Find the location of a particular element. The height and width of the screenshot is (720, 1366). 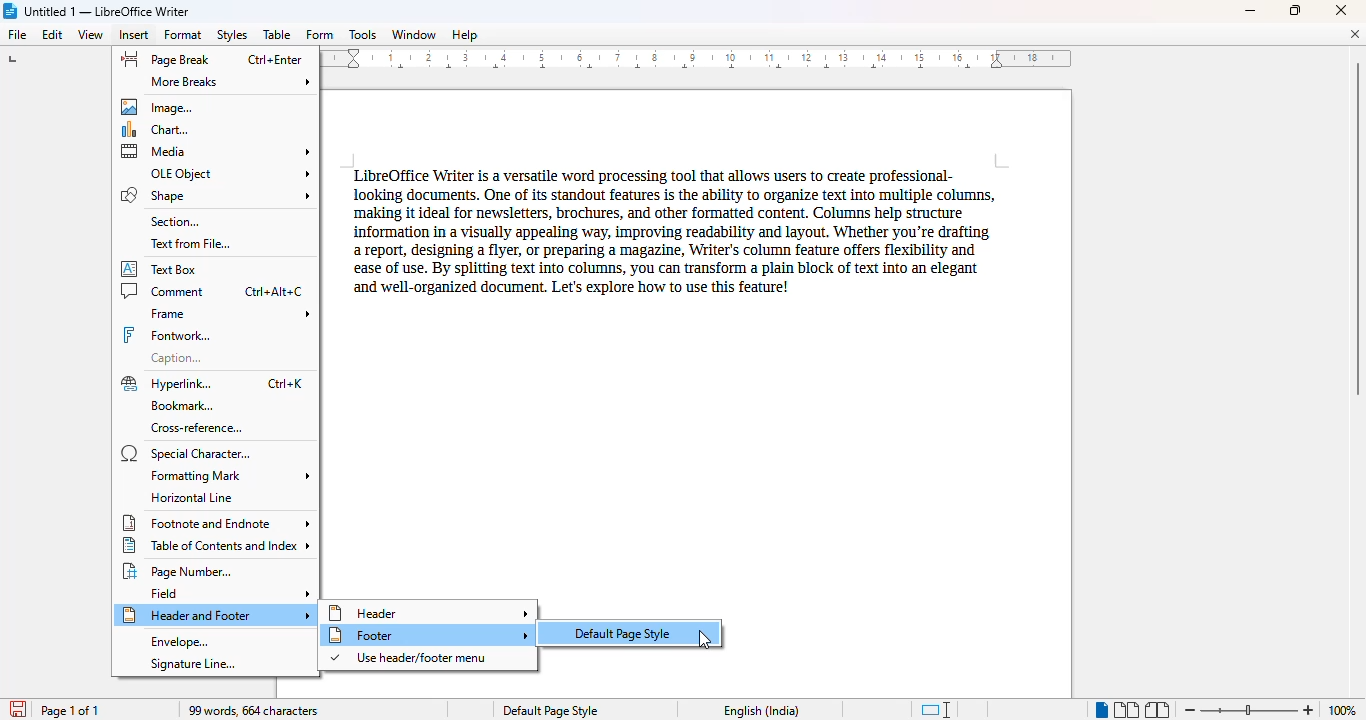

footer is located at coordinates (427, 635).